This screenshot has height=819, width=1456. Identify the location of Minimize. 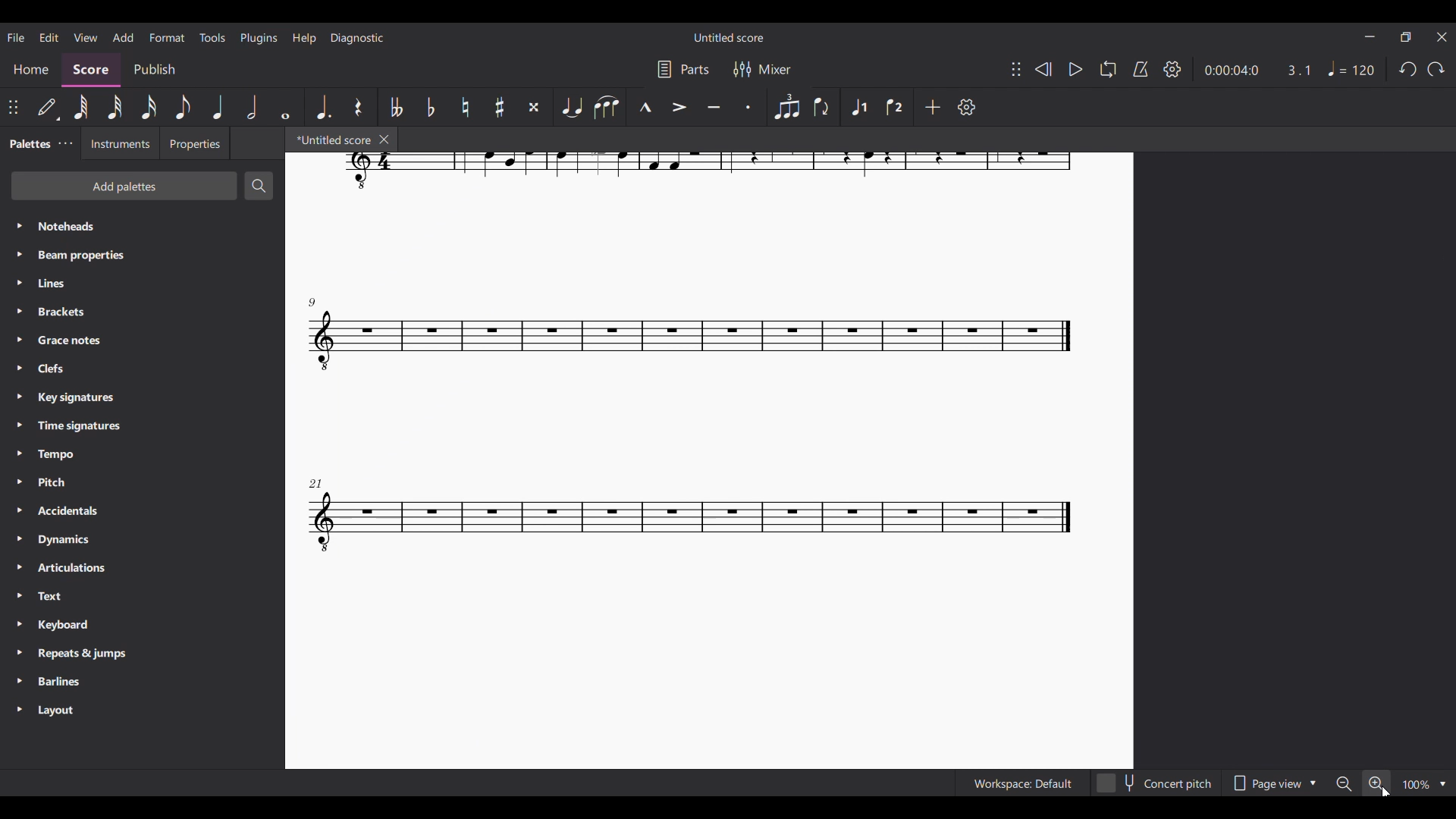
(1370, 37).